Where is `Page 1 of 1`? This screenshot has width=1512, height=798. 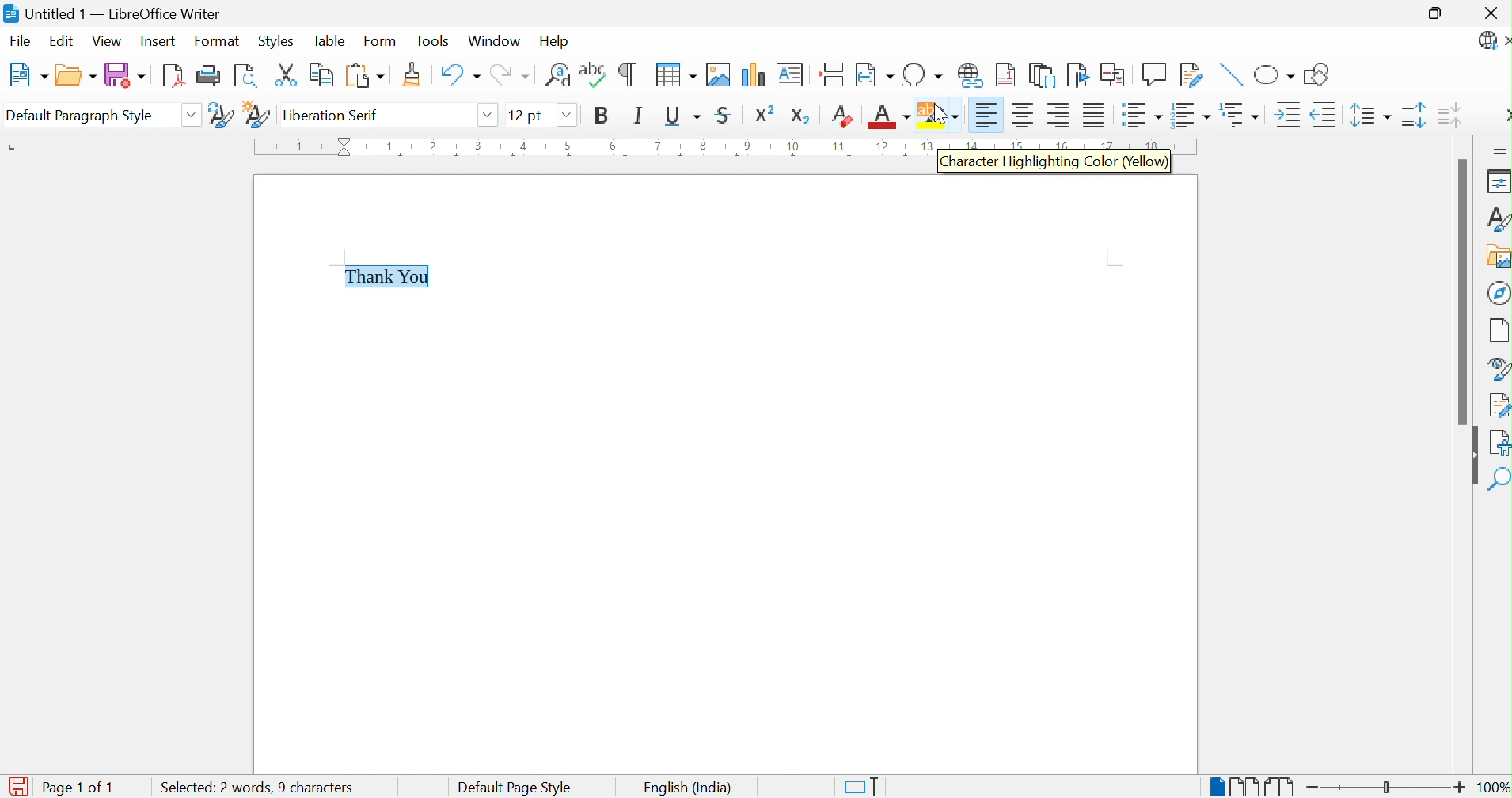 Page 1 of 1 is located at coordinates (82, 788).